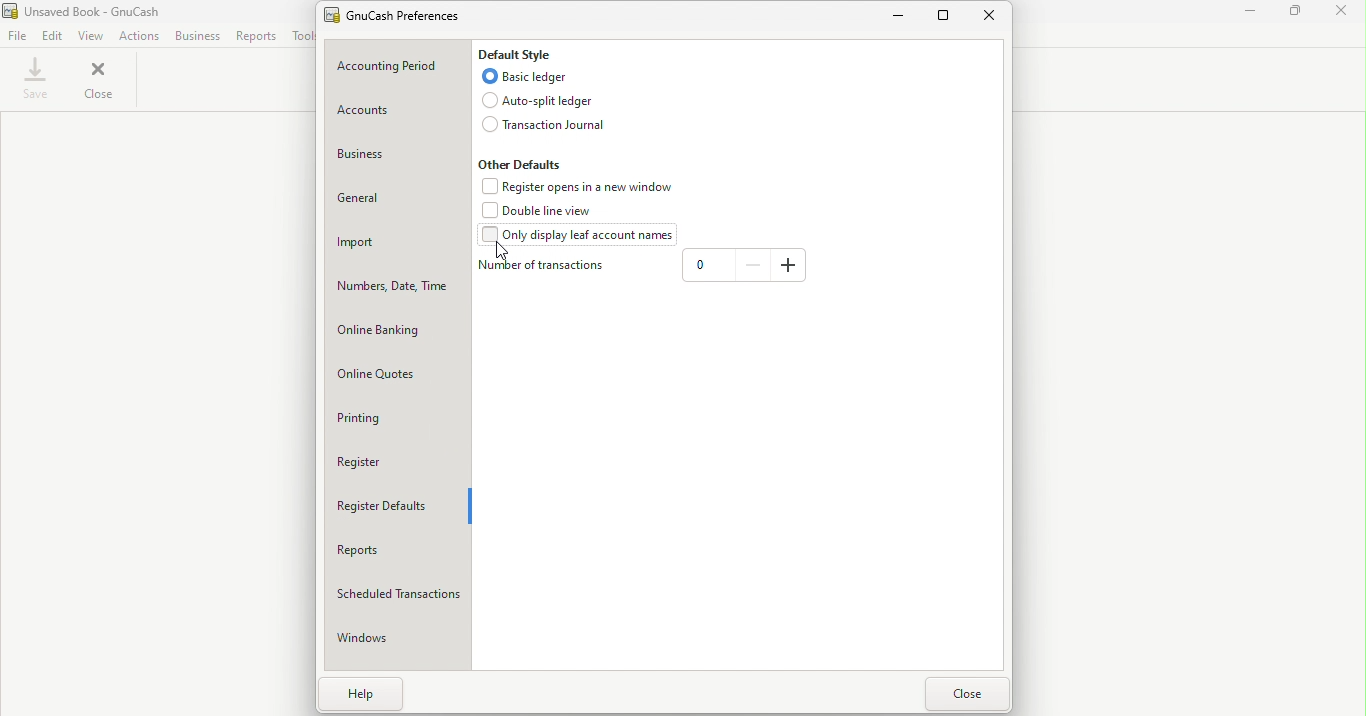 This screenshot has width=1366, height=716. Describe the element at coordinates (523, 164) in the screenshot. I see `Other defaults` at that location.